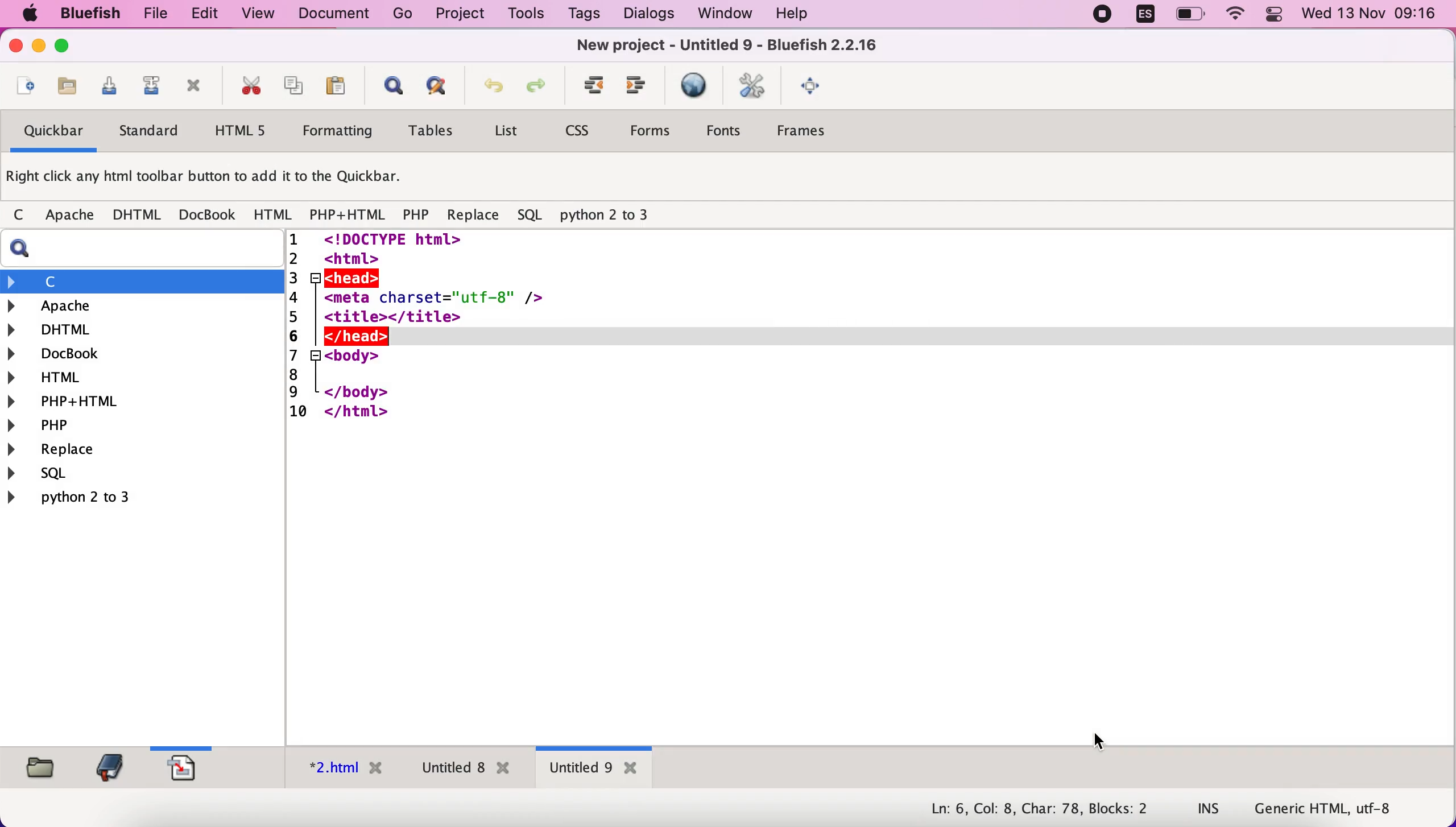 This screenshot has width=1456, height=827. I want to click on apache, so click(67, 216).